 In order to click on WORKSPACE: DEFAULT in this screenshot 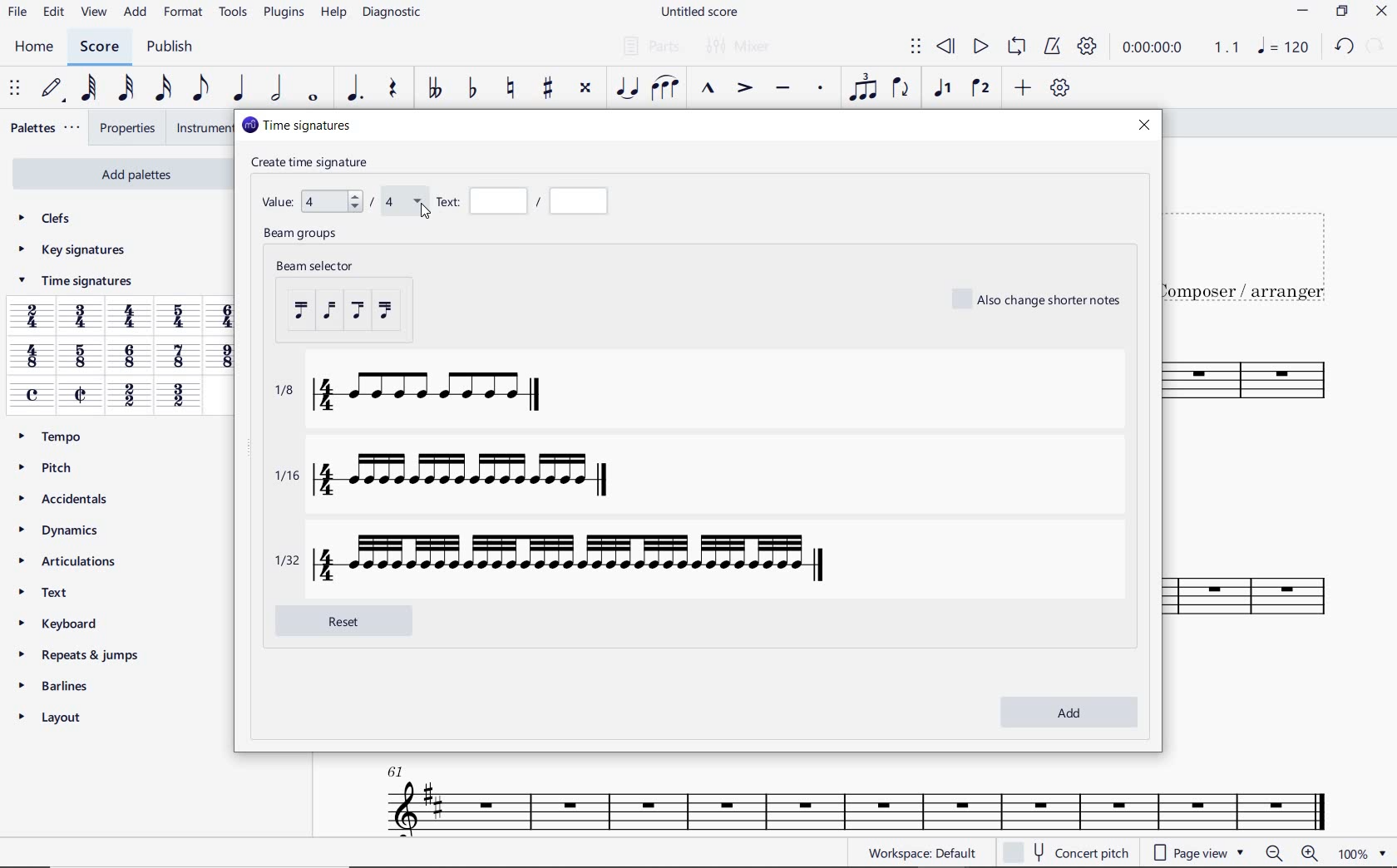, I will do `click(920, 853)`.